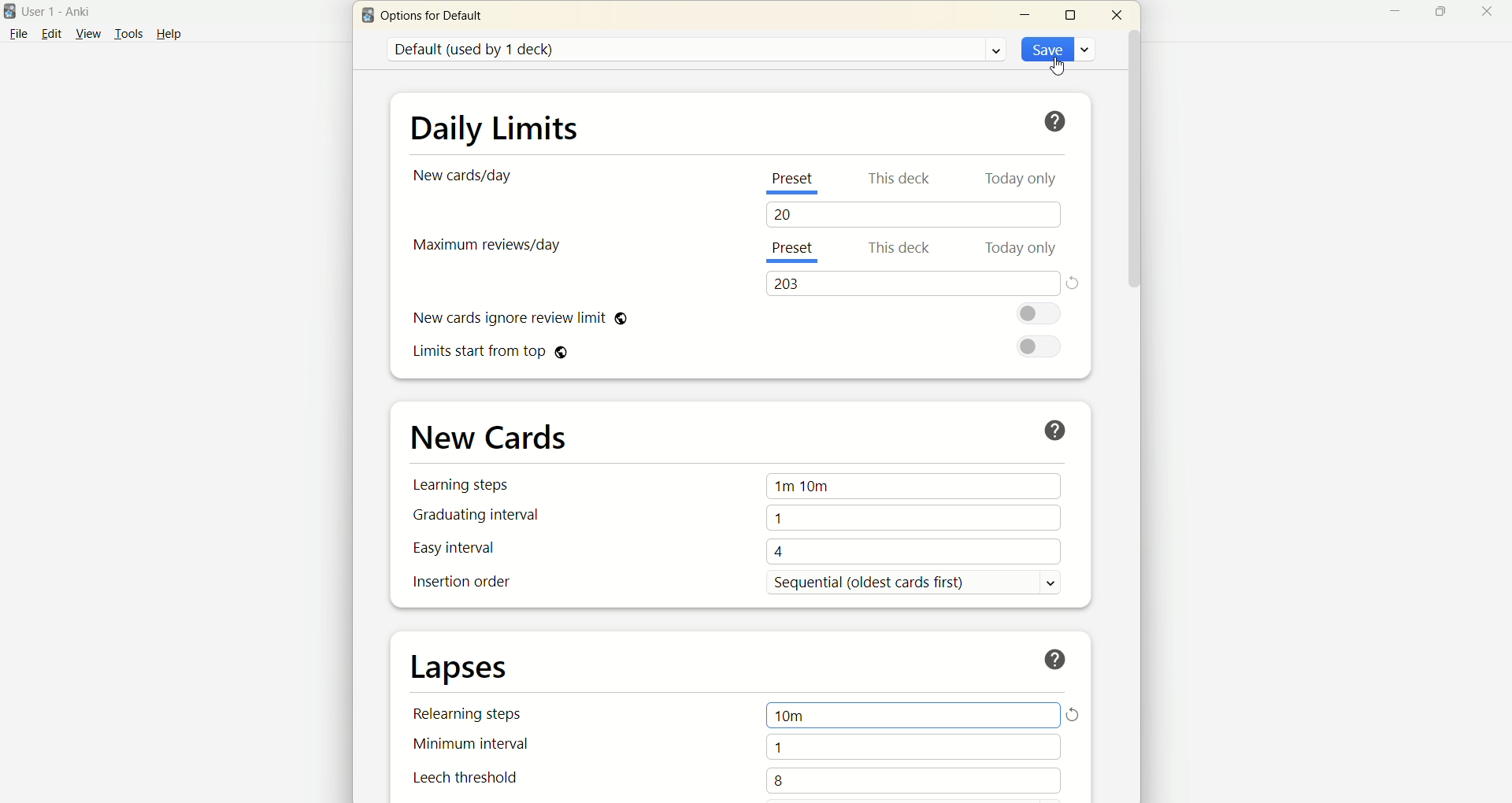 This screenshot has width=1512, height=803. Describe the element at coordinates (461, 669) in the screenshot. I see `lapses` at that location.